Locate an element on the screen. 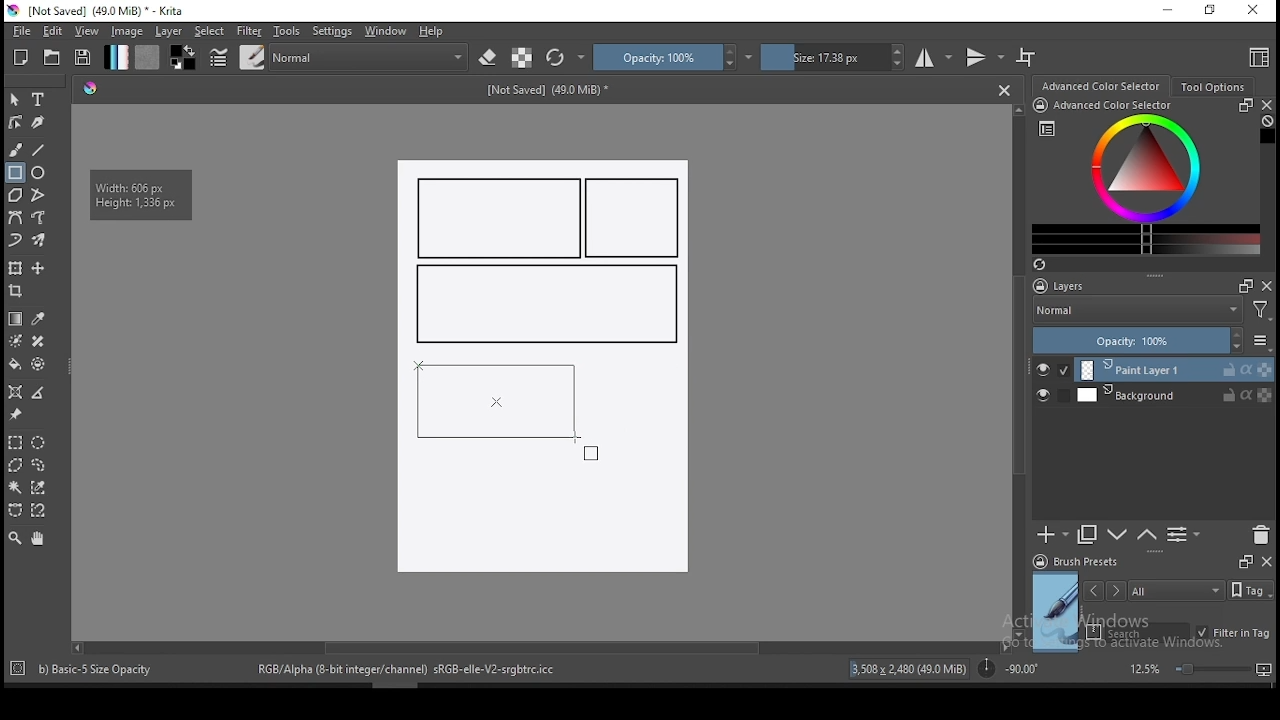 The image size is (1280, 720). edit is located at coordinates (52, 30).